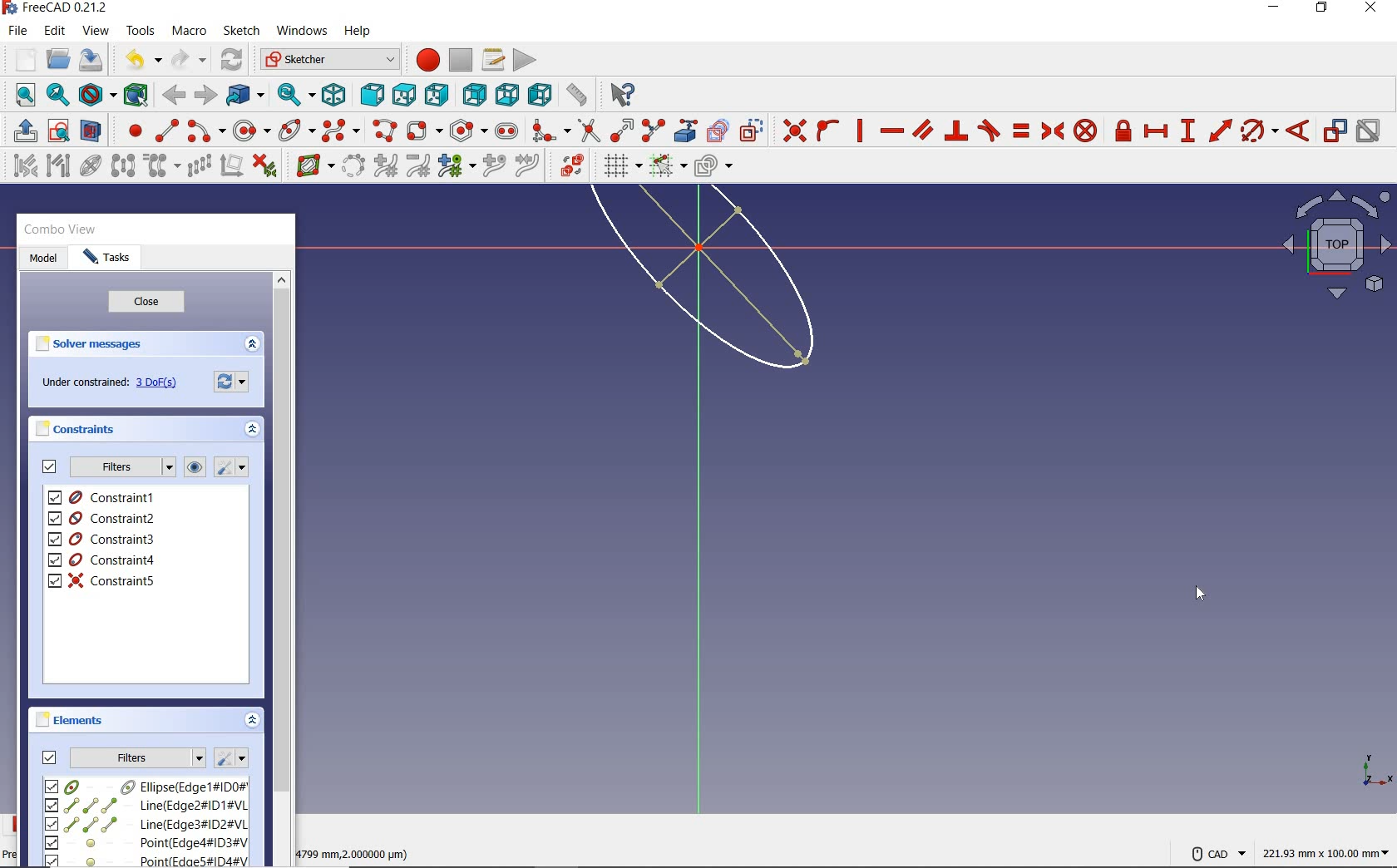 Image resolution: width=1397 pixels, height=868 pixels. Describe the element at coordinates (921, 129) in the screenshot. I see `constrain parallel` at that location.